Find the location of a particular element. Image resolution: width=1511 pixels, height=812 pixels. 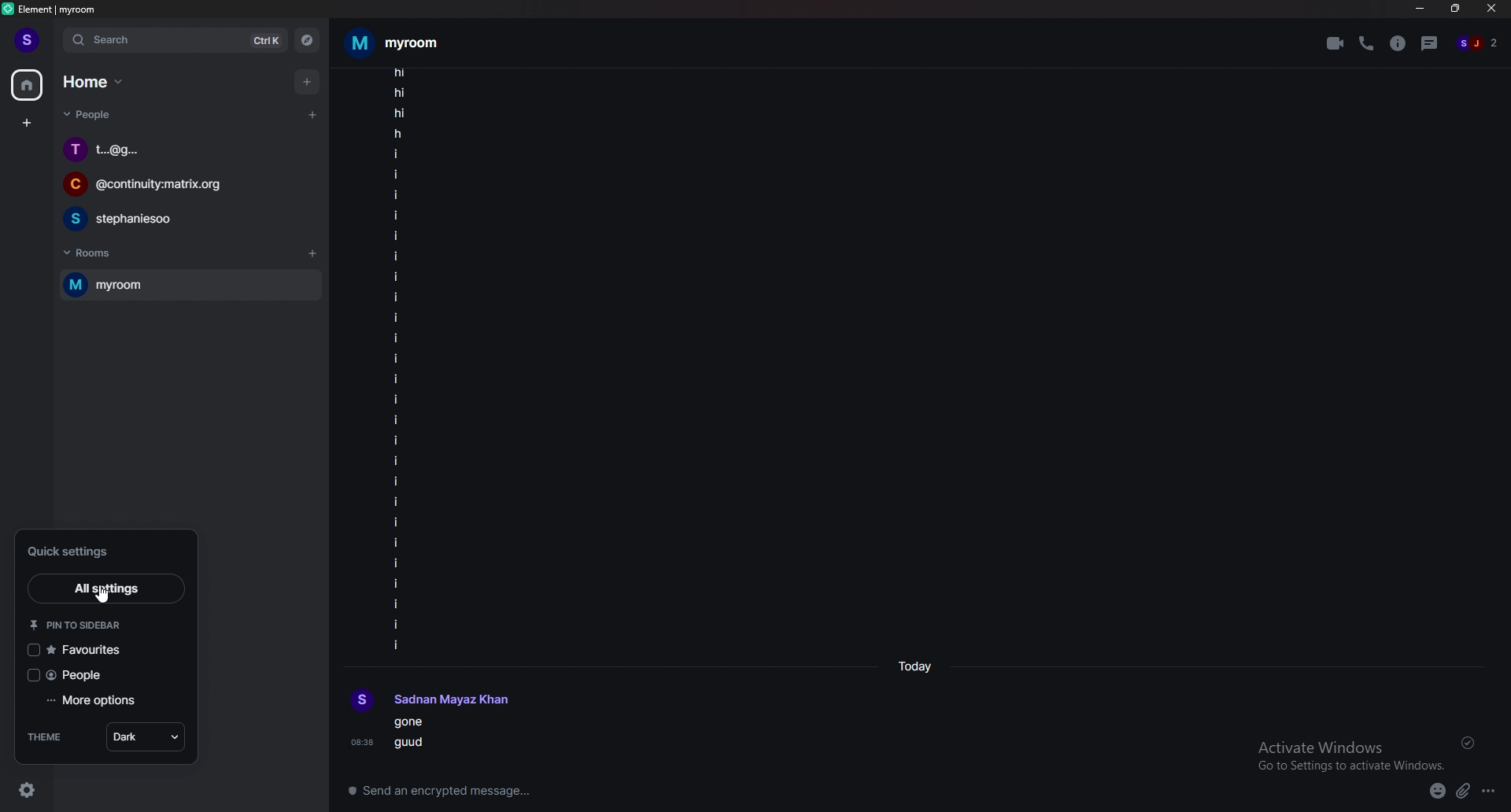

video call is located at coordinates (1334, 43).